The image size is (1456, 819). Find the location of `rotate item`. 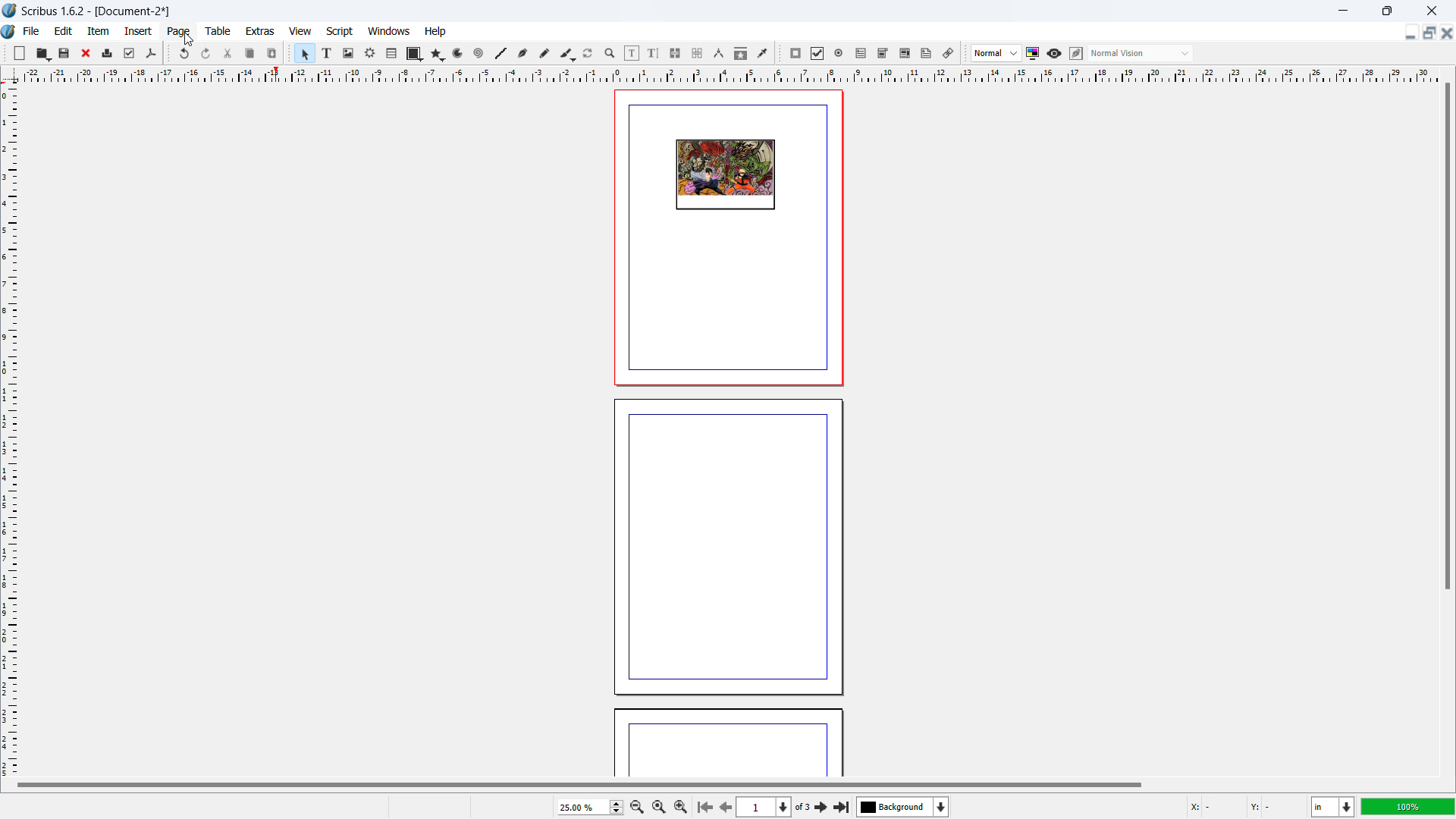

rotate item is located at coordinates (588, 54).